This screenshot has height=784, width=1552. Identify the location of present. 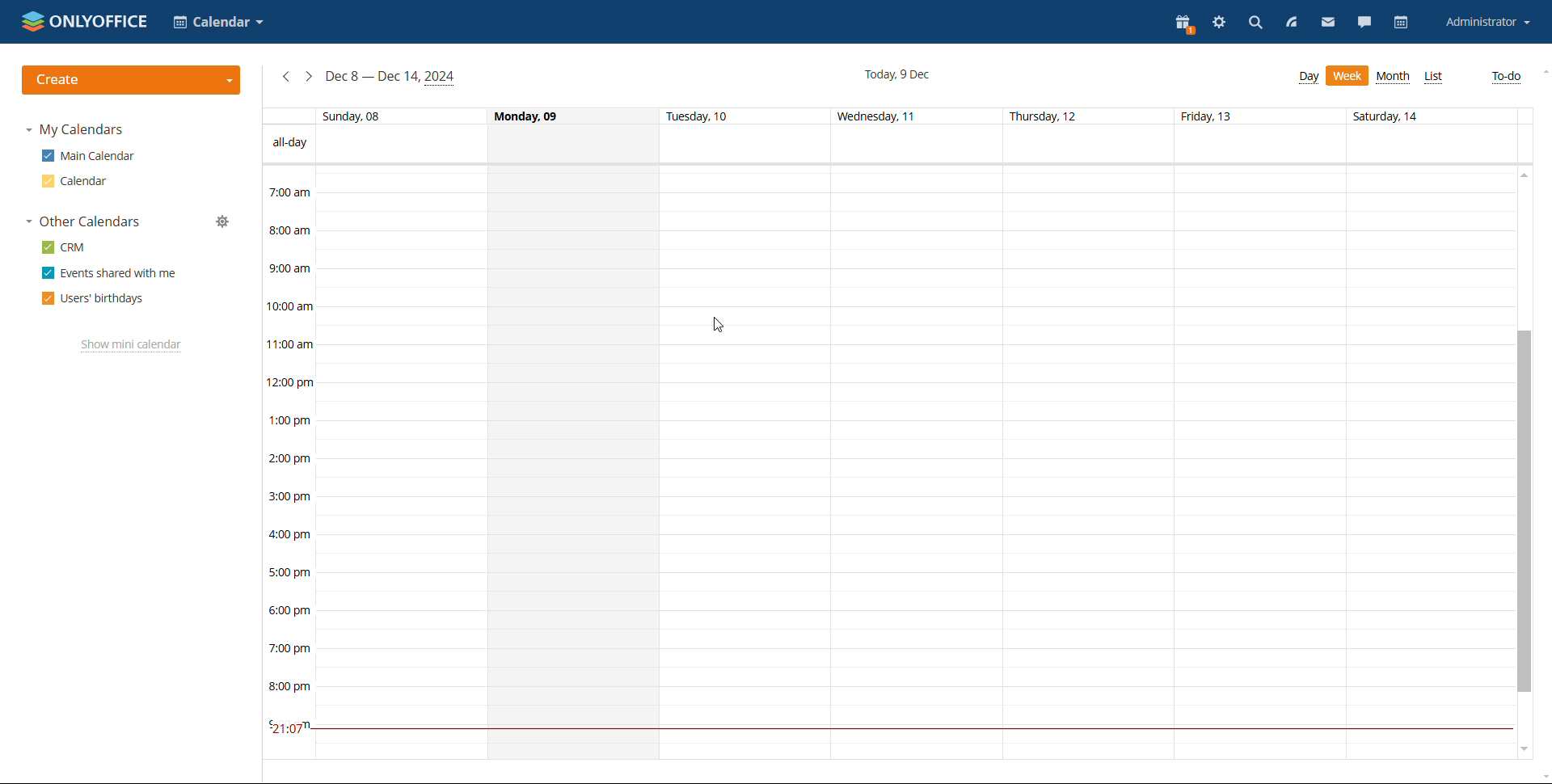
(1186, 25).